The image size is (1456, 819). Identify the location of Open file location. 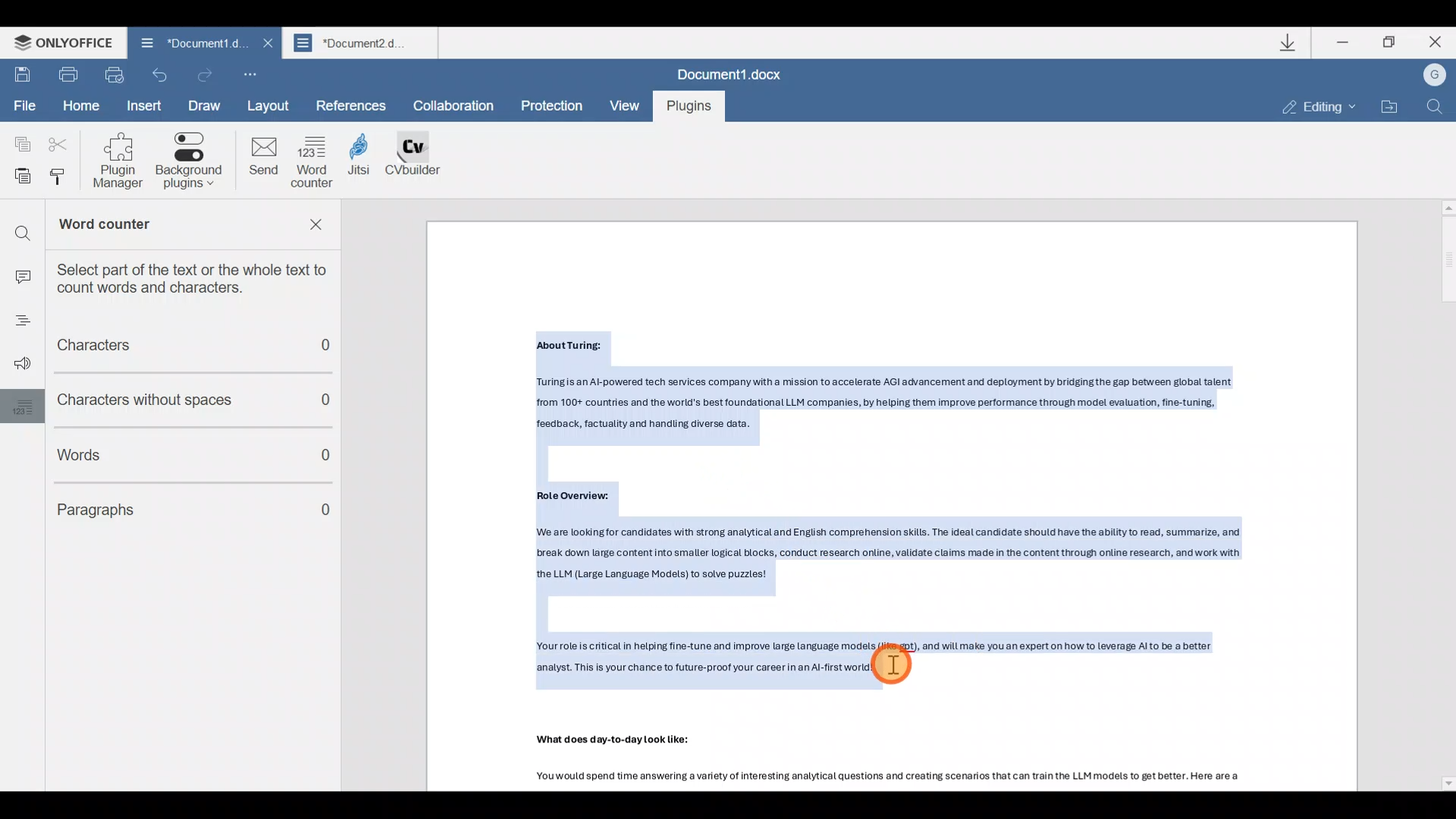
(1392, 105).